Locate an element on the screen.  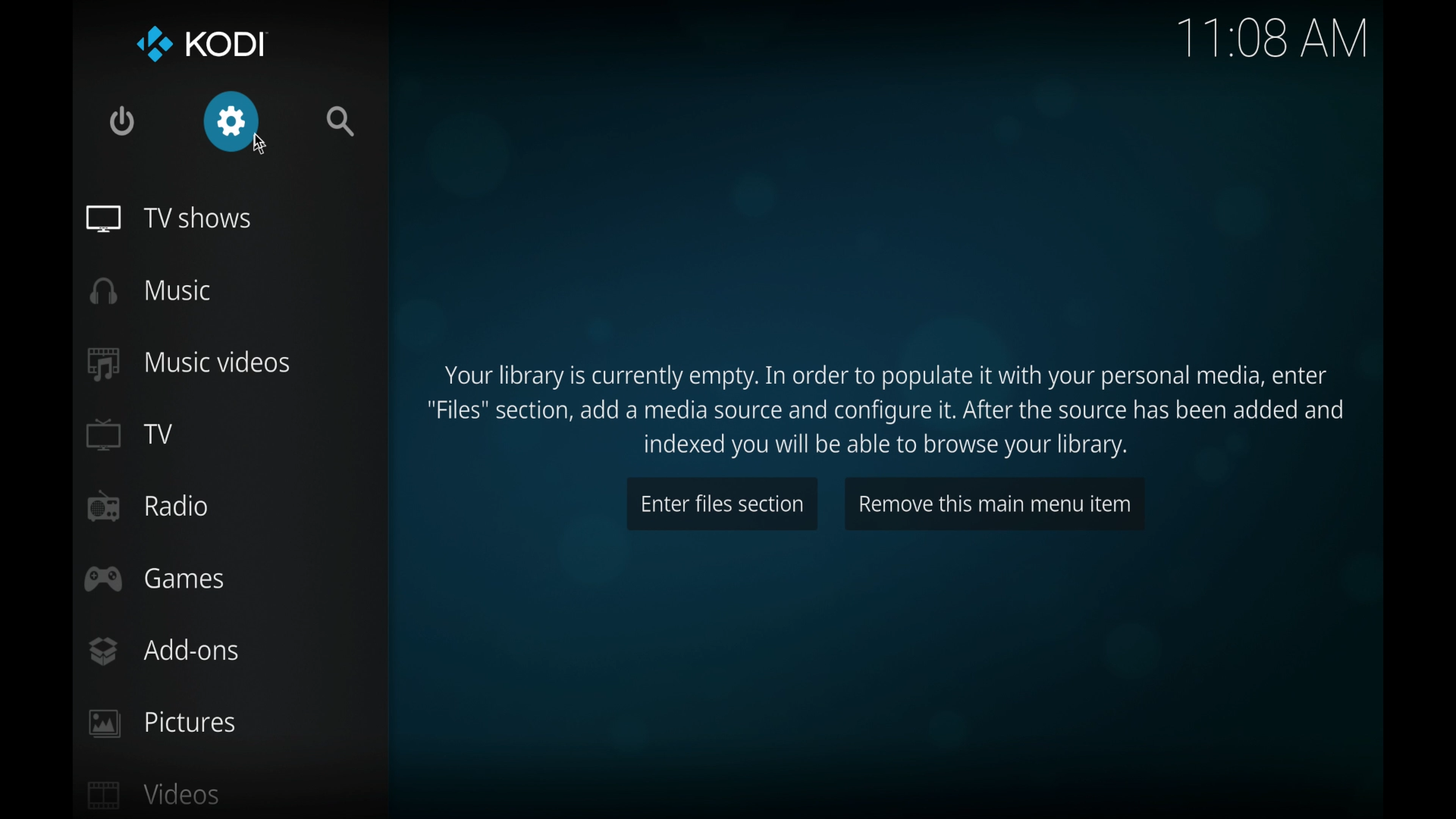
TV is located at coordinates (131, 435).